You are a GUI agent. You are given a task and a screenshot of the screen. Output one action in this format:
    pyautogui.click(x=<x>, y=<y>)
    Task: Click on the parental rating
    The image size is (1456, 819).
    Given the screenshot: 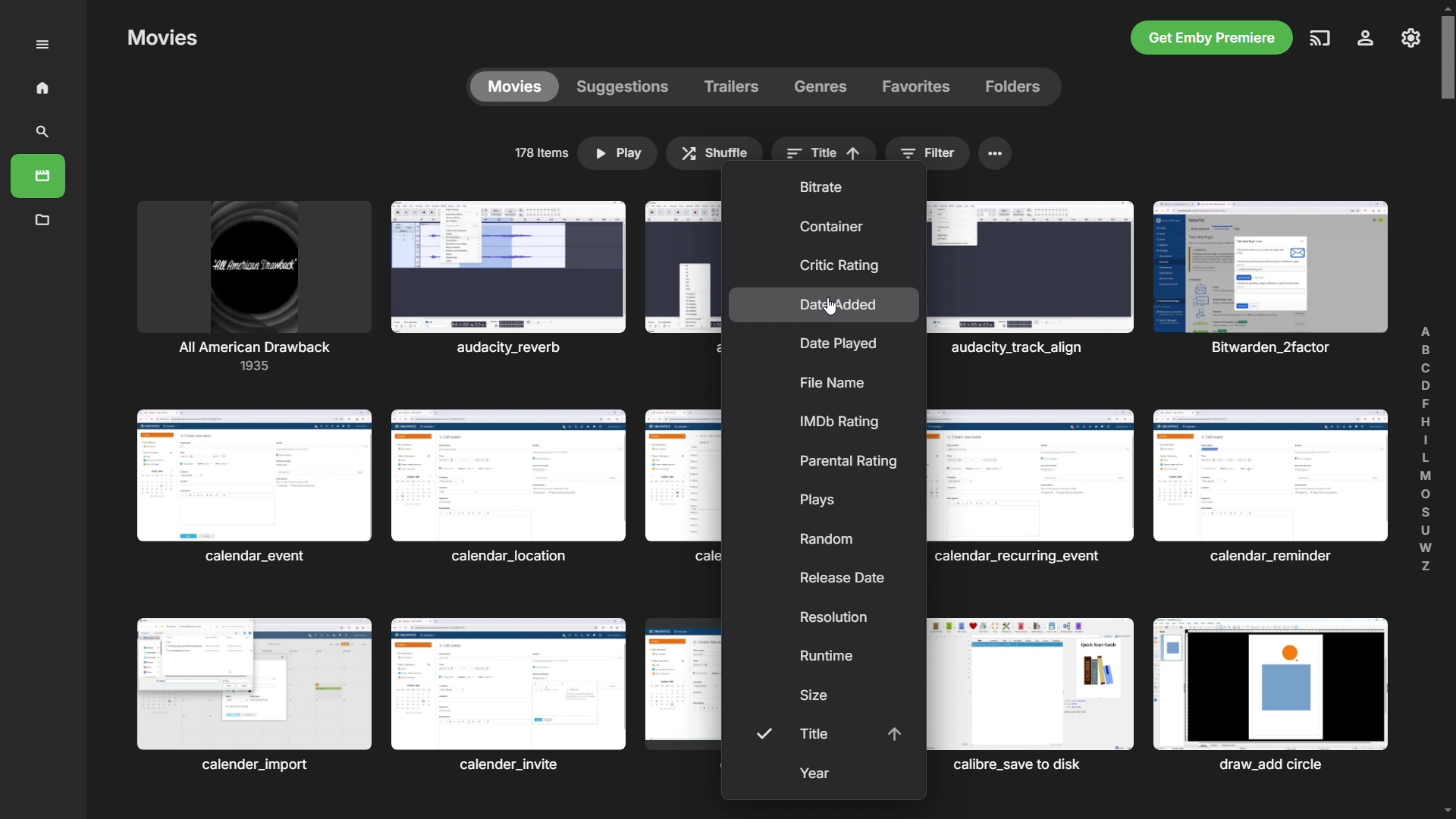 What is the action you would take?
    pyautogui.click(x=824, y=460)
    